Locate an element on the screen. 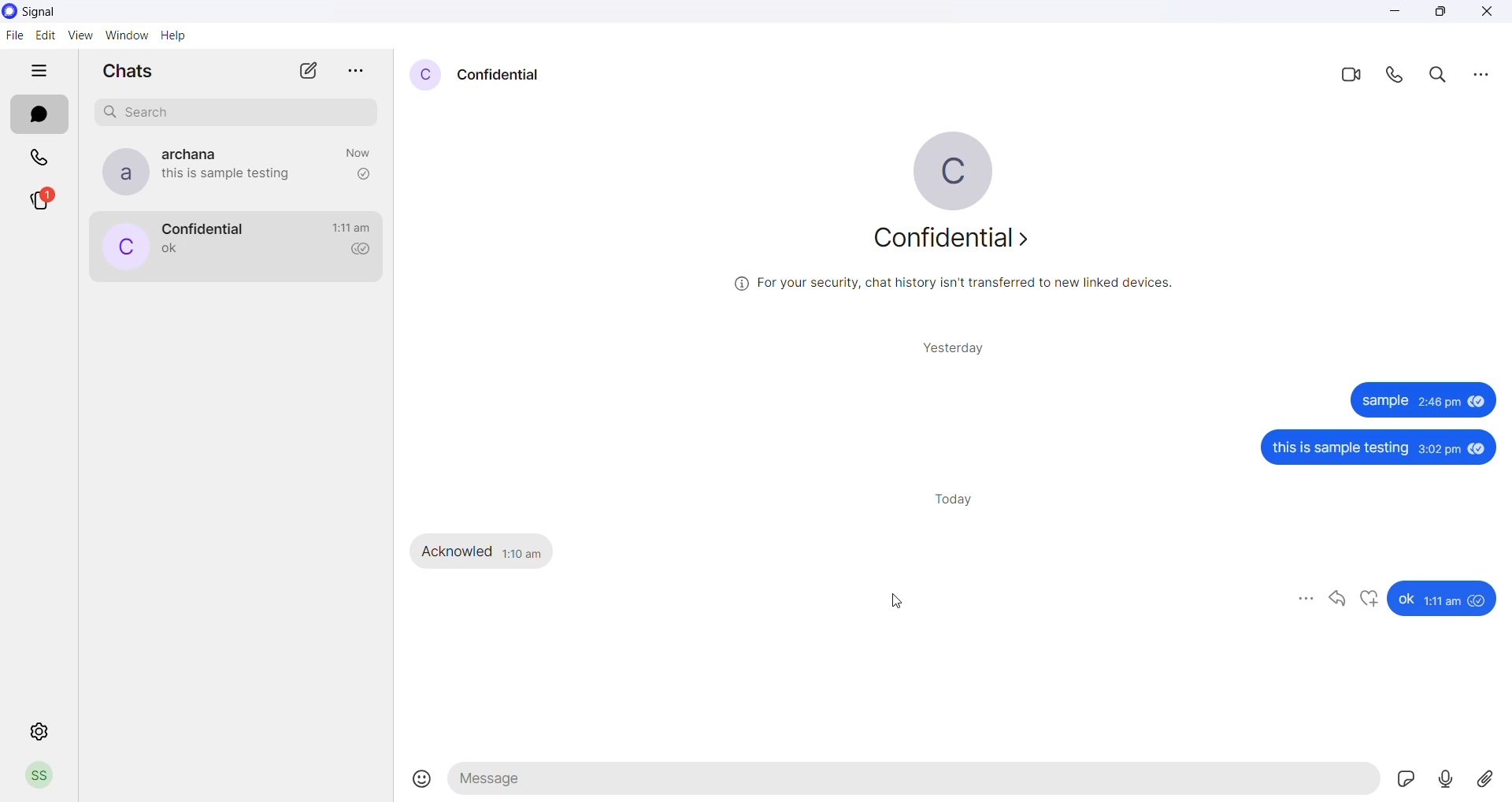 Image resolution: width=1512 pixels, height=802 pixels. more options is located at coordinates (1480, 73).